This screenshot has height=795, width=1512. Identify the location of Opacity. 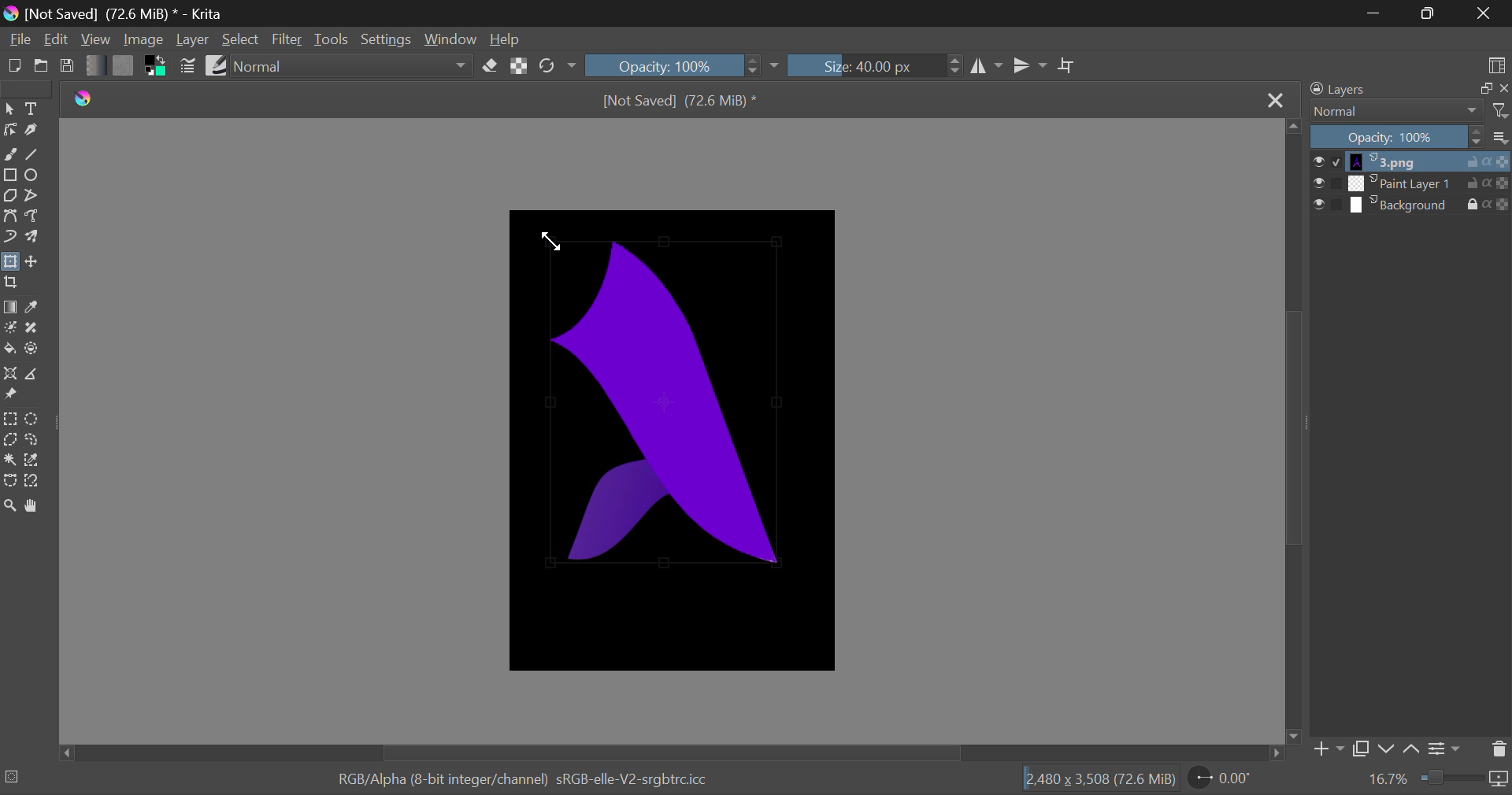
(1395, 138).